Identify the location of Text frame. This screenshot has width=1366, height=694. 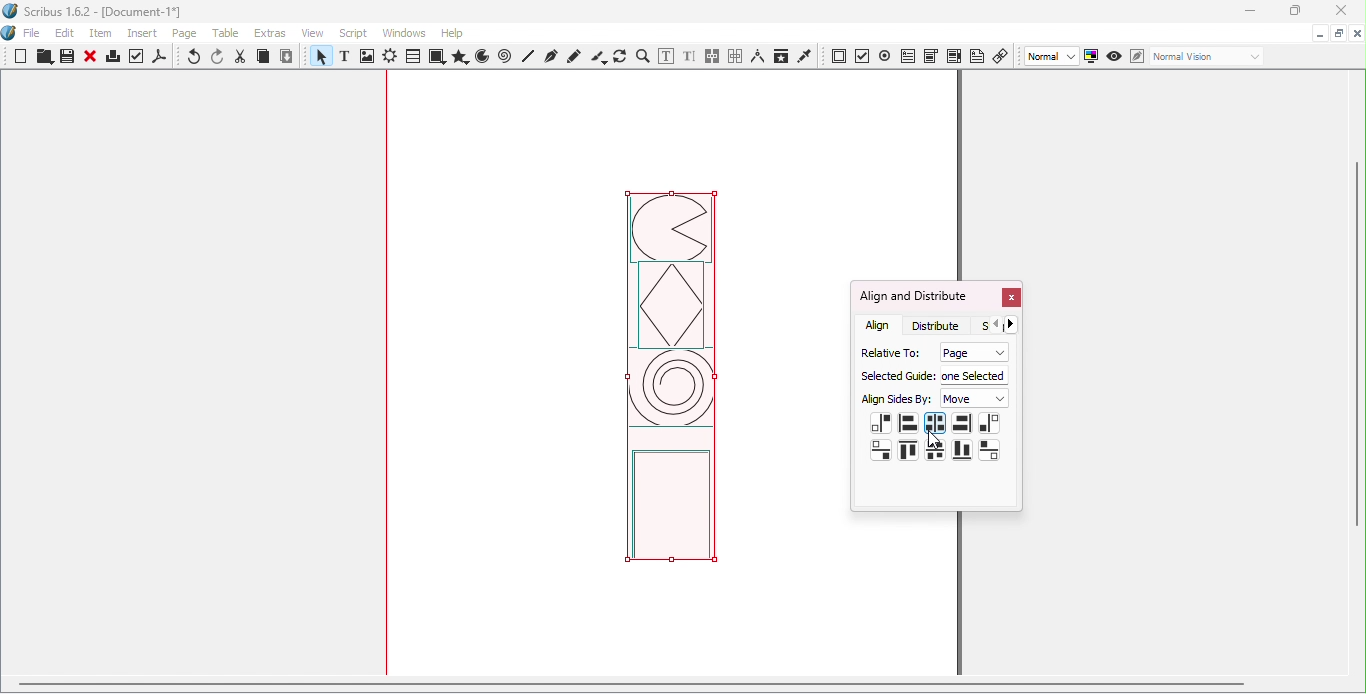
(348, 58).